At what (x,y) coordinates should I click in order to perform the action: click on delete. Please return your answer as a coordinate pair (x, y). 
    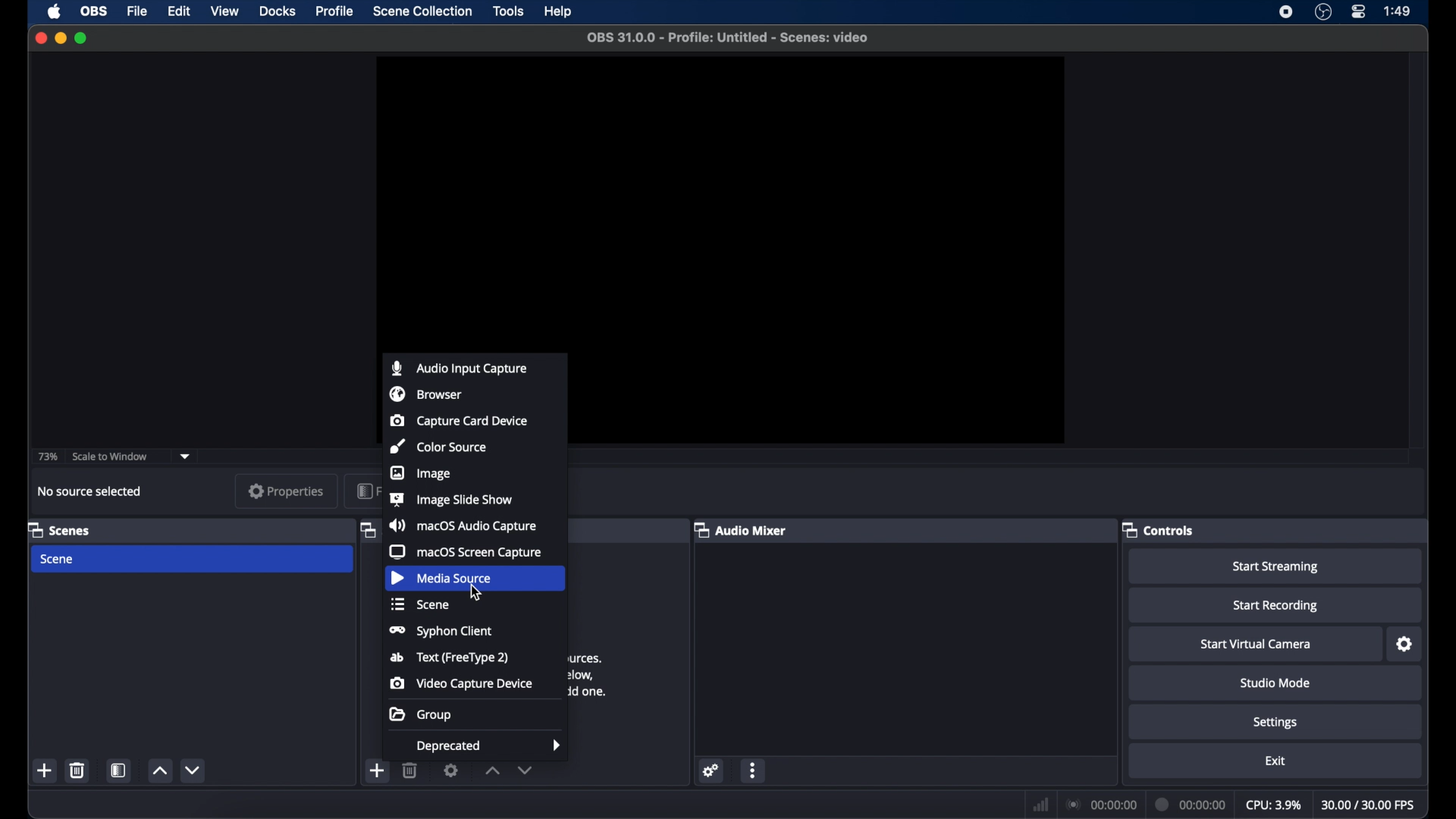
    Looking at the image, I should click on (77, 770).